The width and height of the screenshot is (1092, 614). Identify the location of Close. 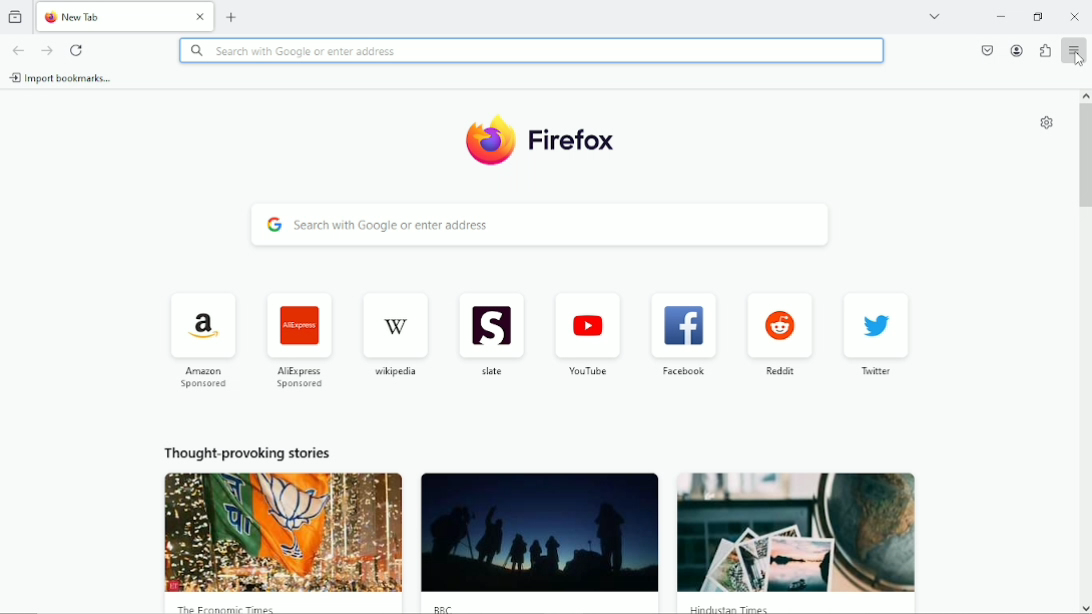
(1074, 16).